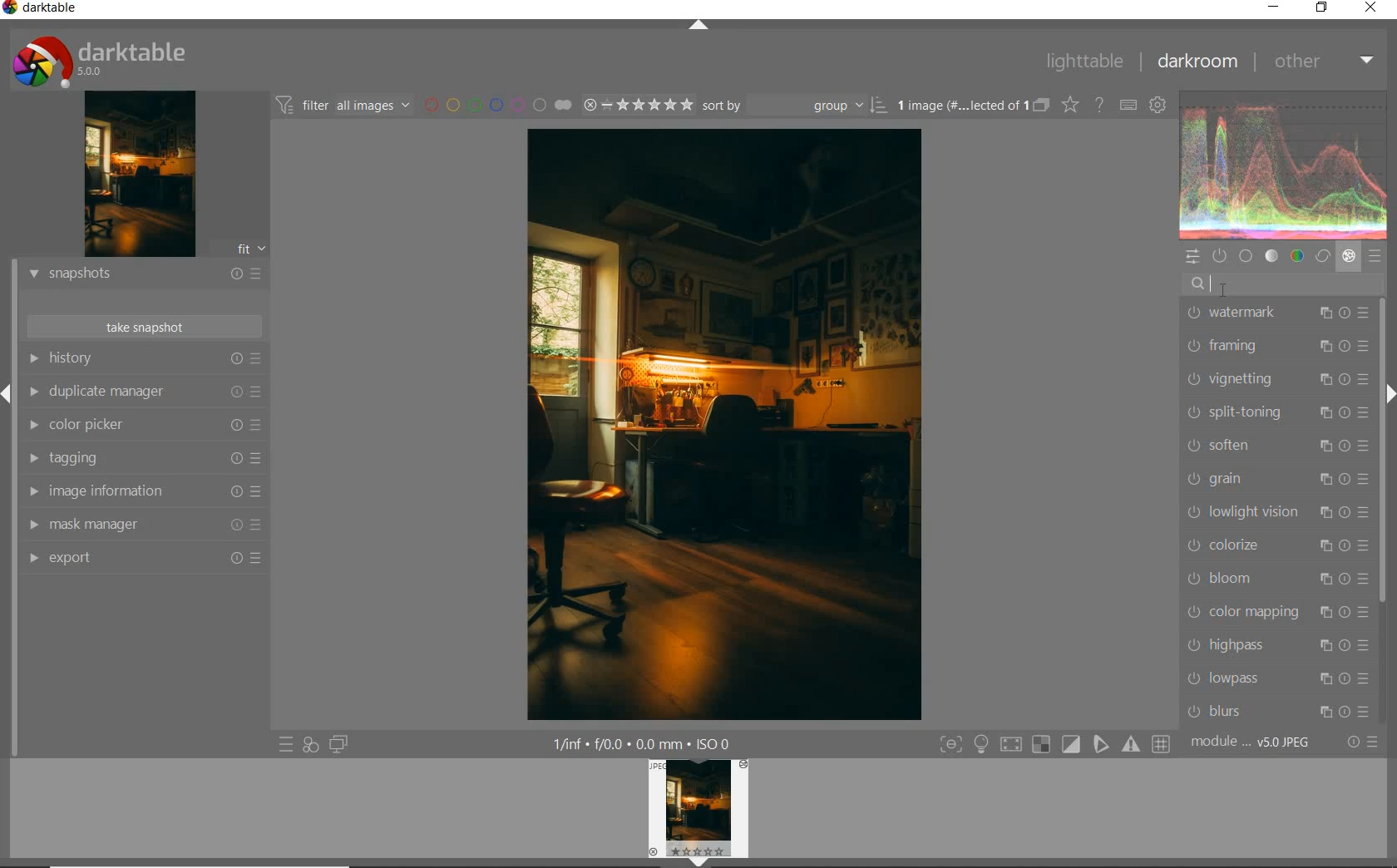 The image size is (1397, 868). I want to click on export, so click(142, 560).